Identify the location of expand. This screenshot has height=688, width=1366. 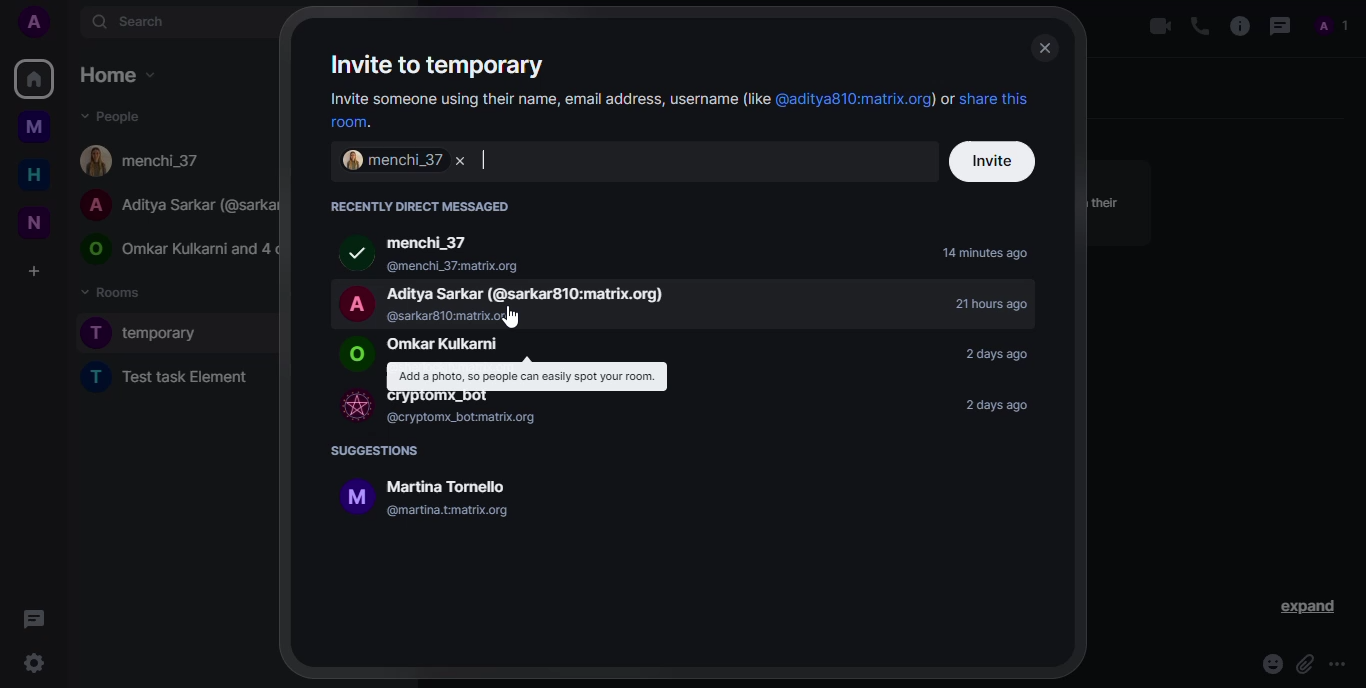
(1305, 607).